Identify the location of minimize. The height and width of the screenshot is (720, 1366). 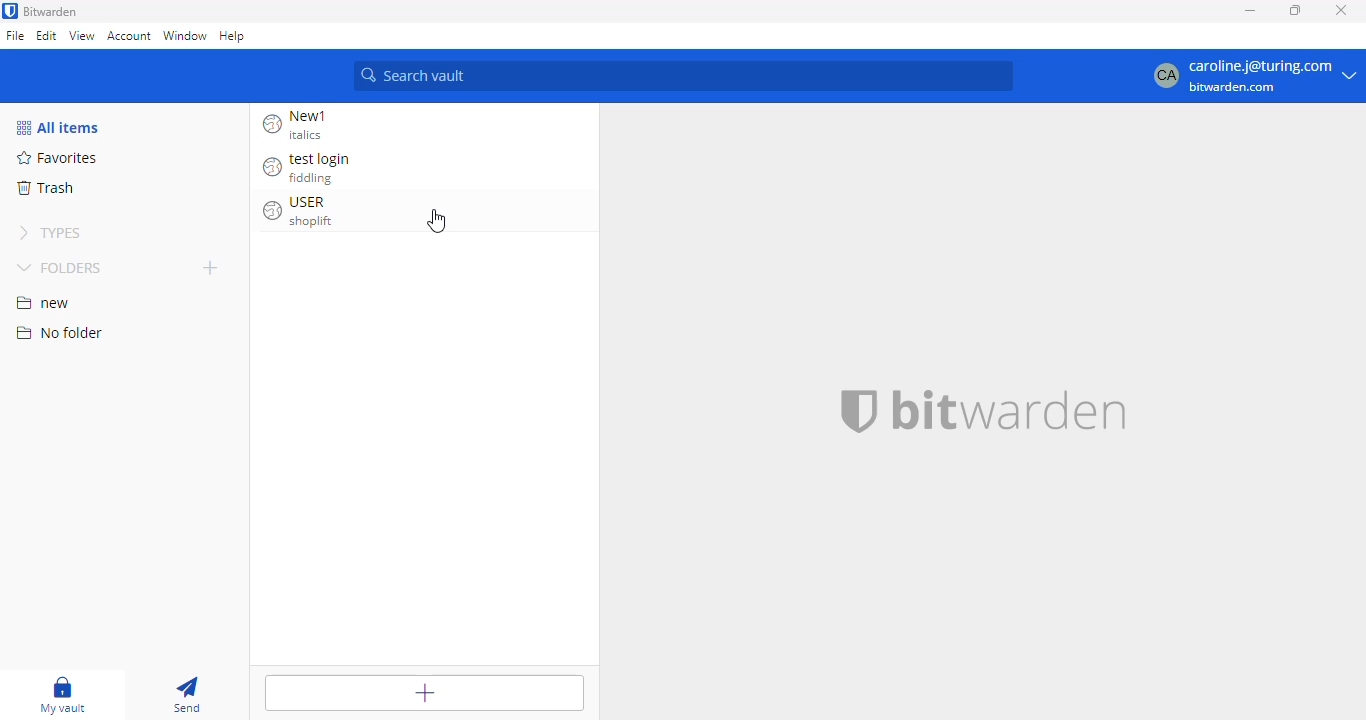
(1251, 12).